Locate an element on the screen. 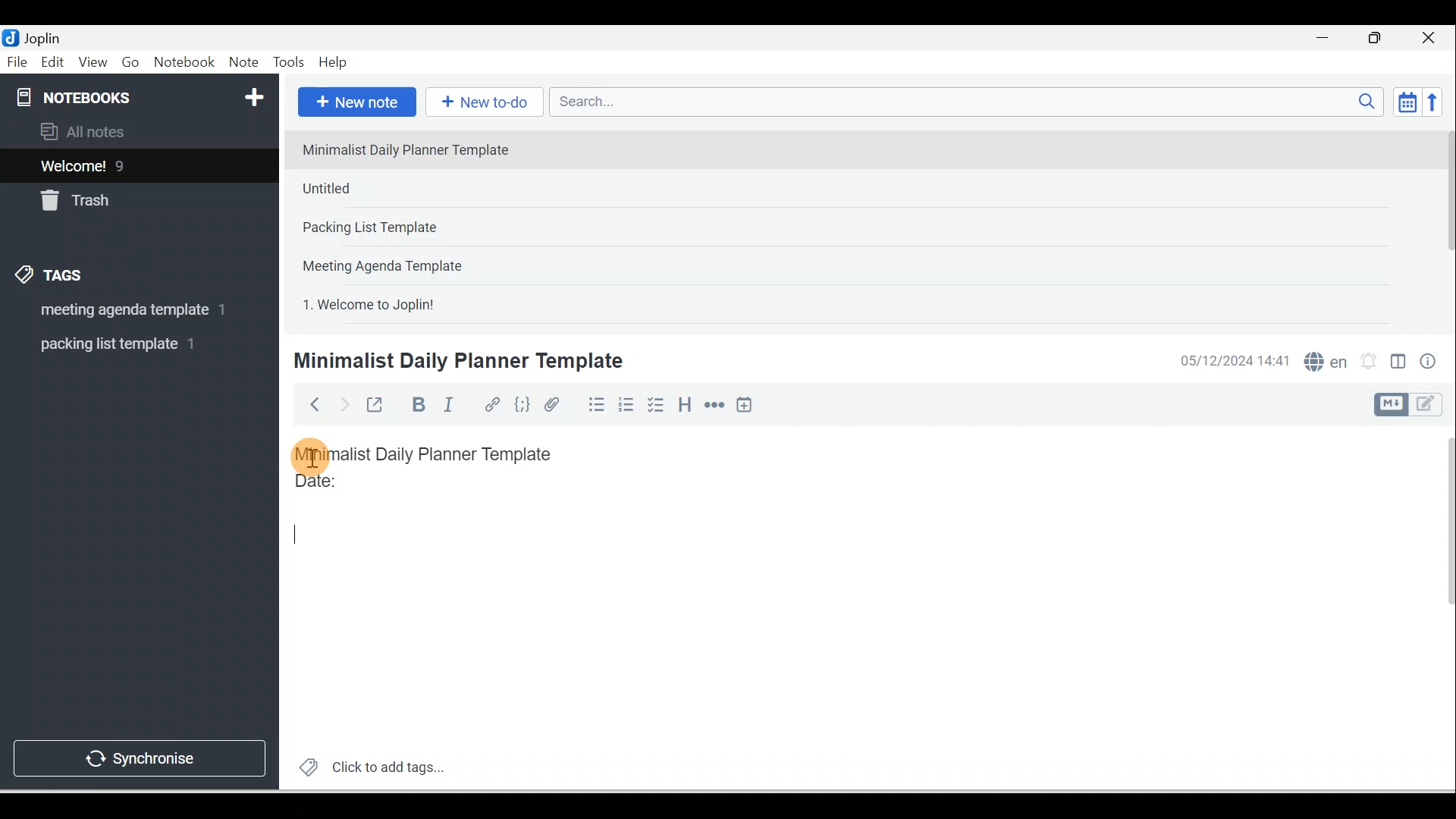  Note 2 is located at coordinates (401, 188).